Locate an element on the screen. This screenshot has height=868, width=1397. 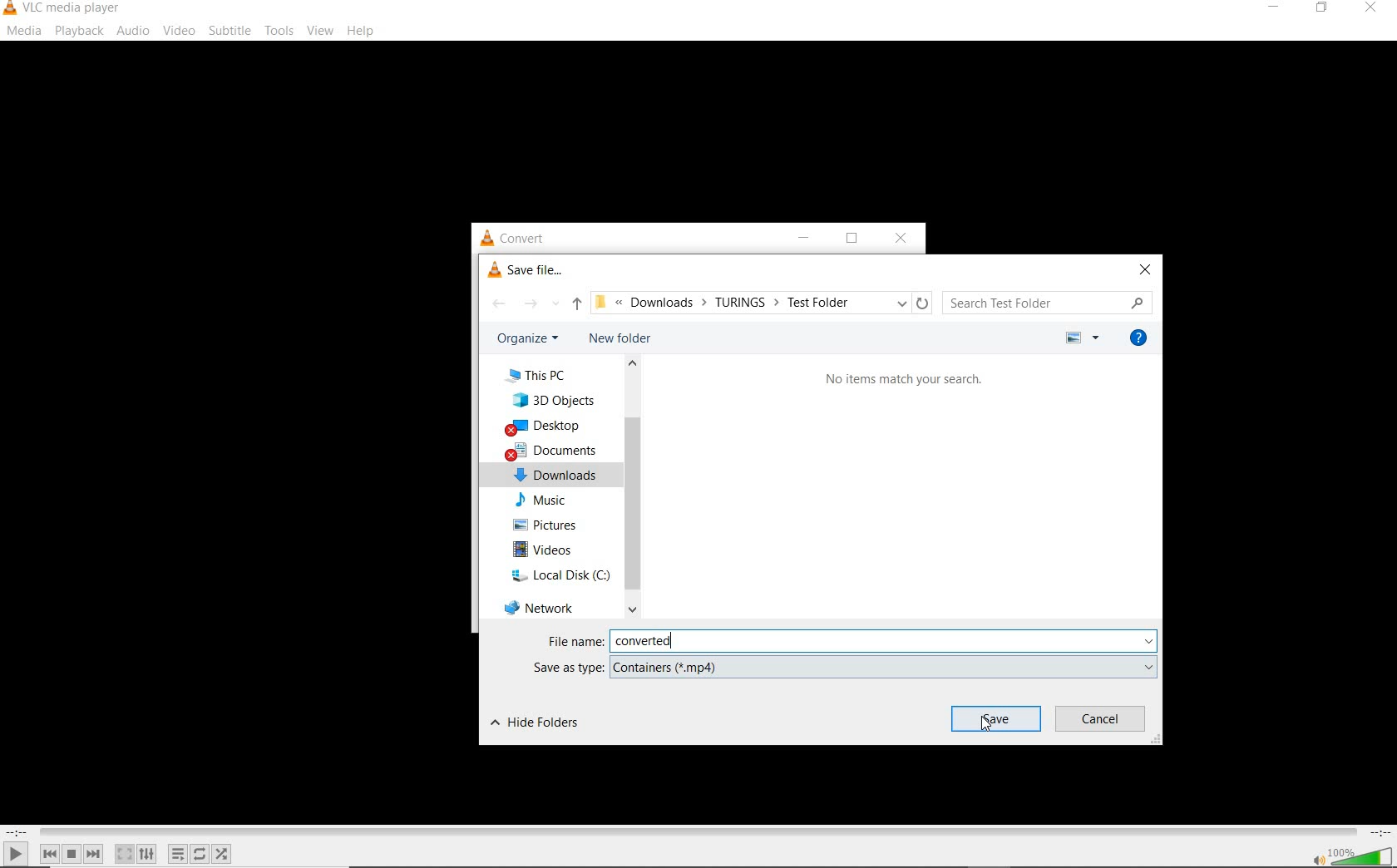
downloads is located at coordinates (555, 474).